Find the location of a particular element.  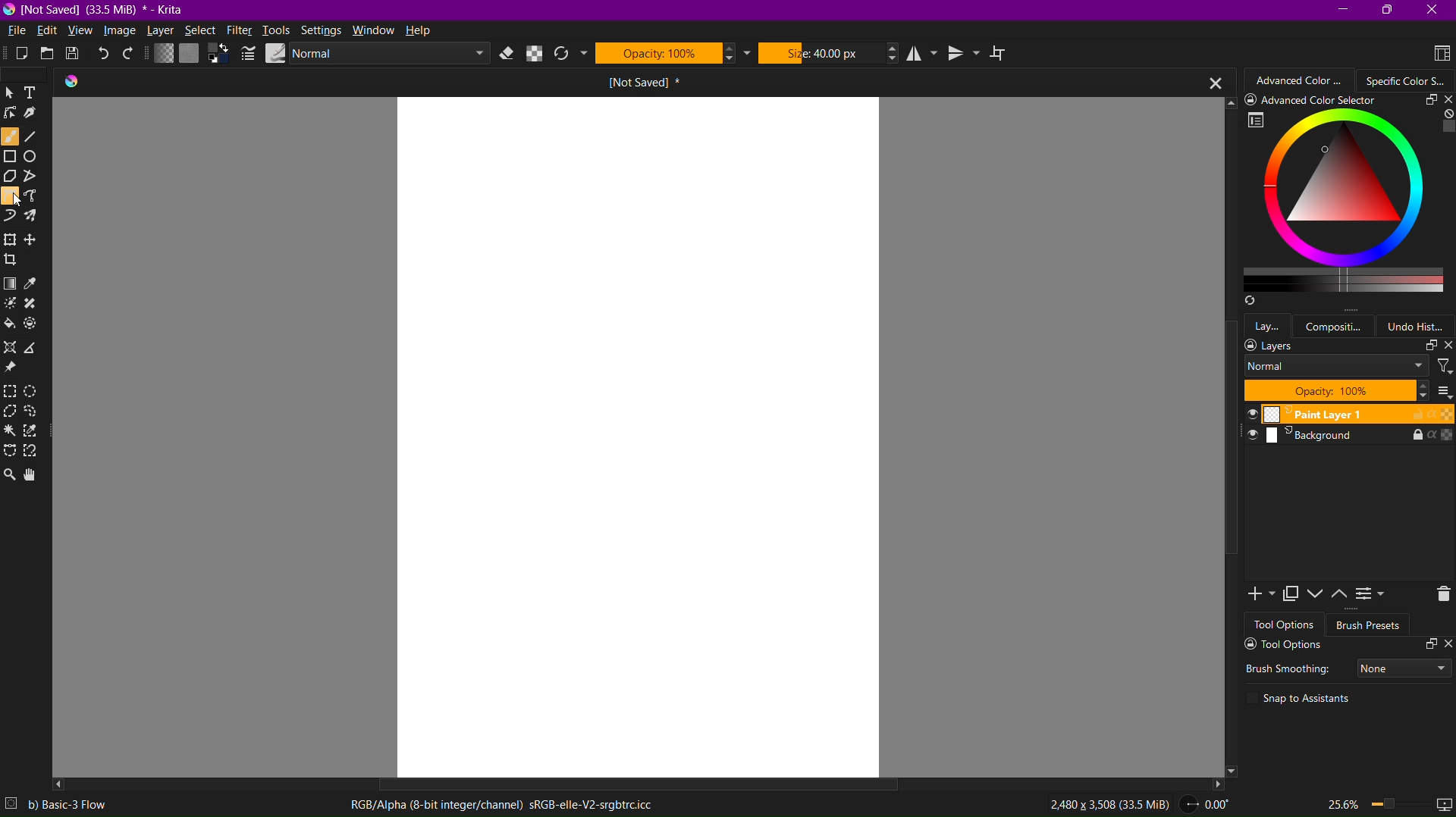

Smart Patch Tool is located at coordinates (36, 305).